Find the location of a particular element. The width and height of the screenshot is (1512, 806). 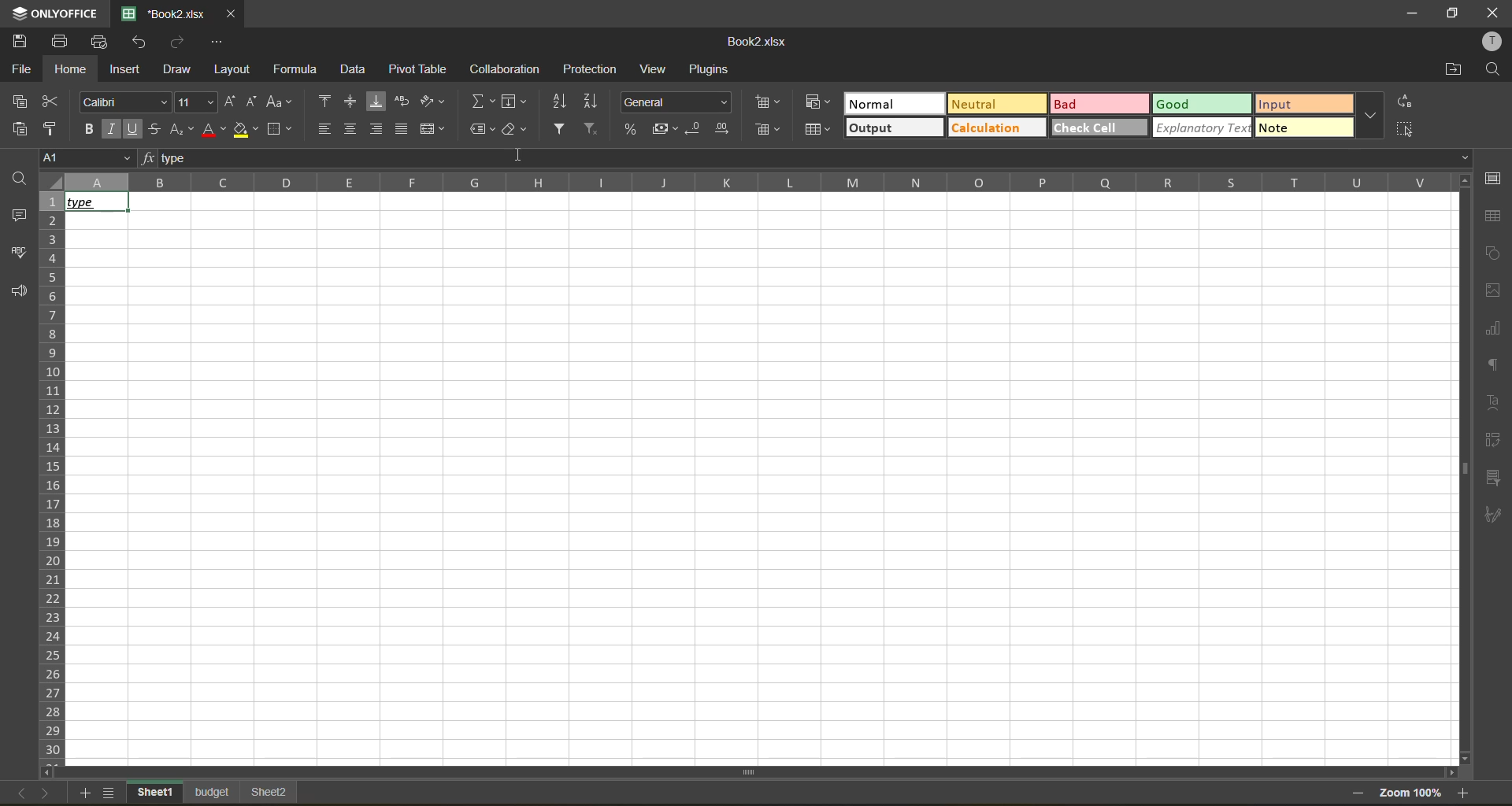

decrement size is located at coordinates (254, 103).